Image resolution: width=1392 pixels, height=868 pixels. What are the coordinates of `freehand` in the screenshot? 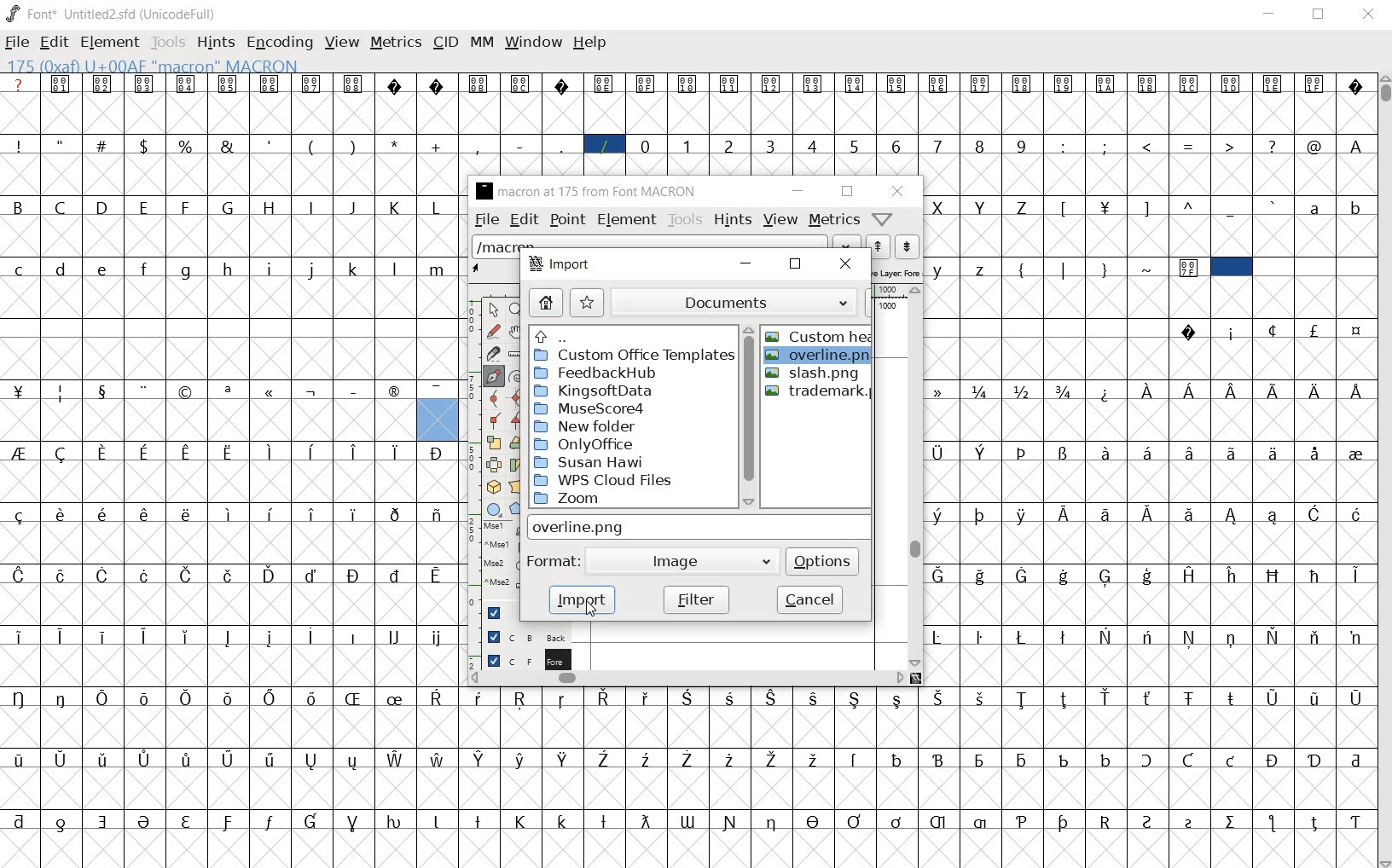 It's located at (491, 331).